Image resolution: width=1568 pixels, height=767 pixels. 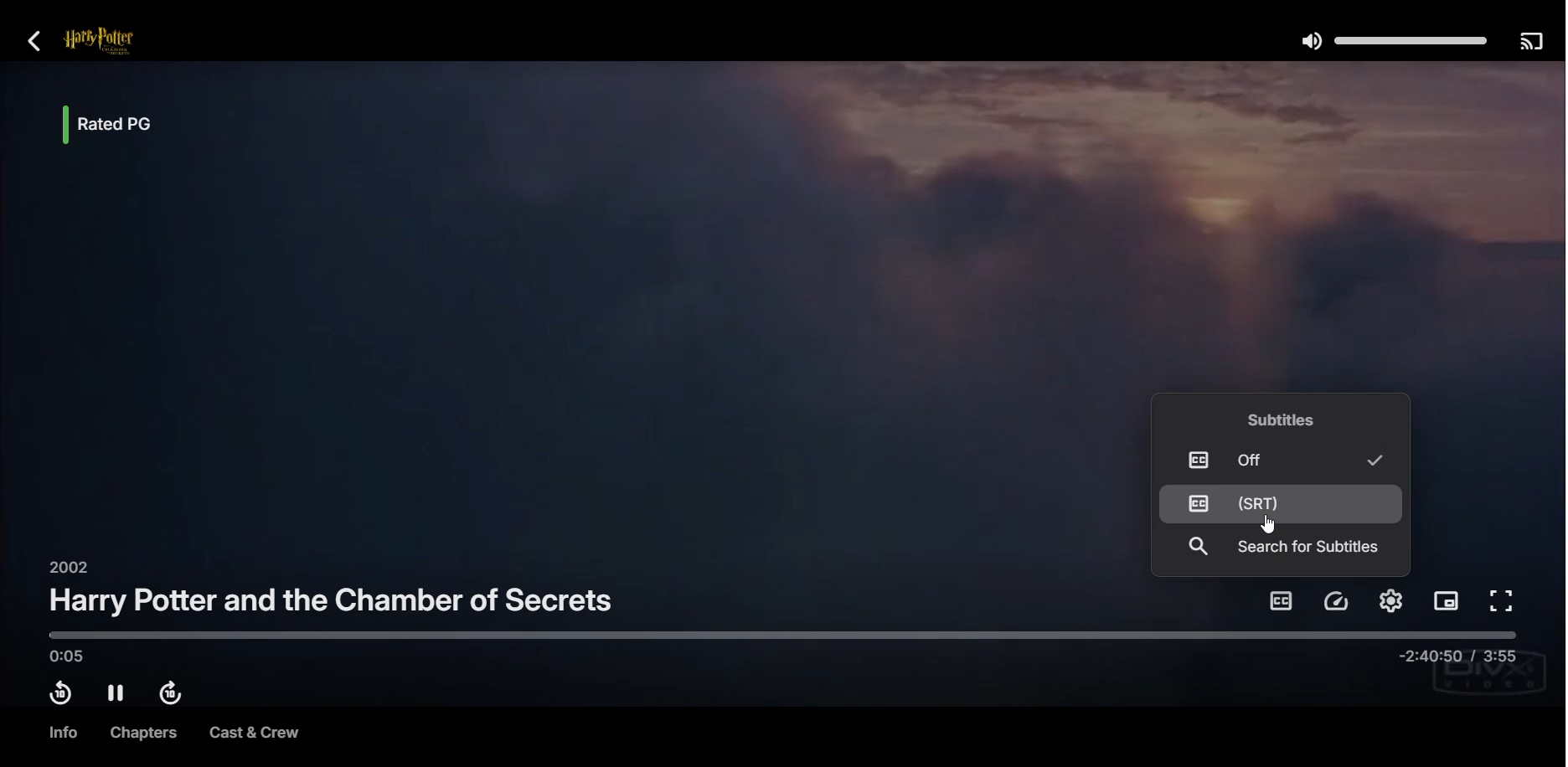 I want to click on Search for Subtitles, so click(x=1283, y=548).